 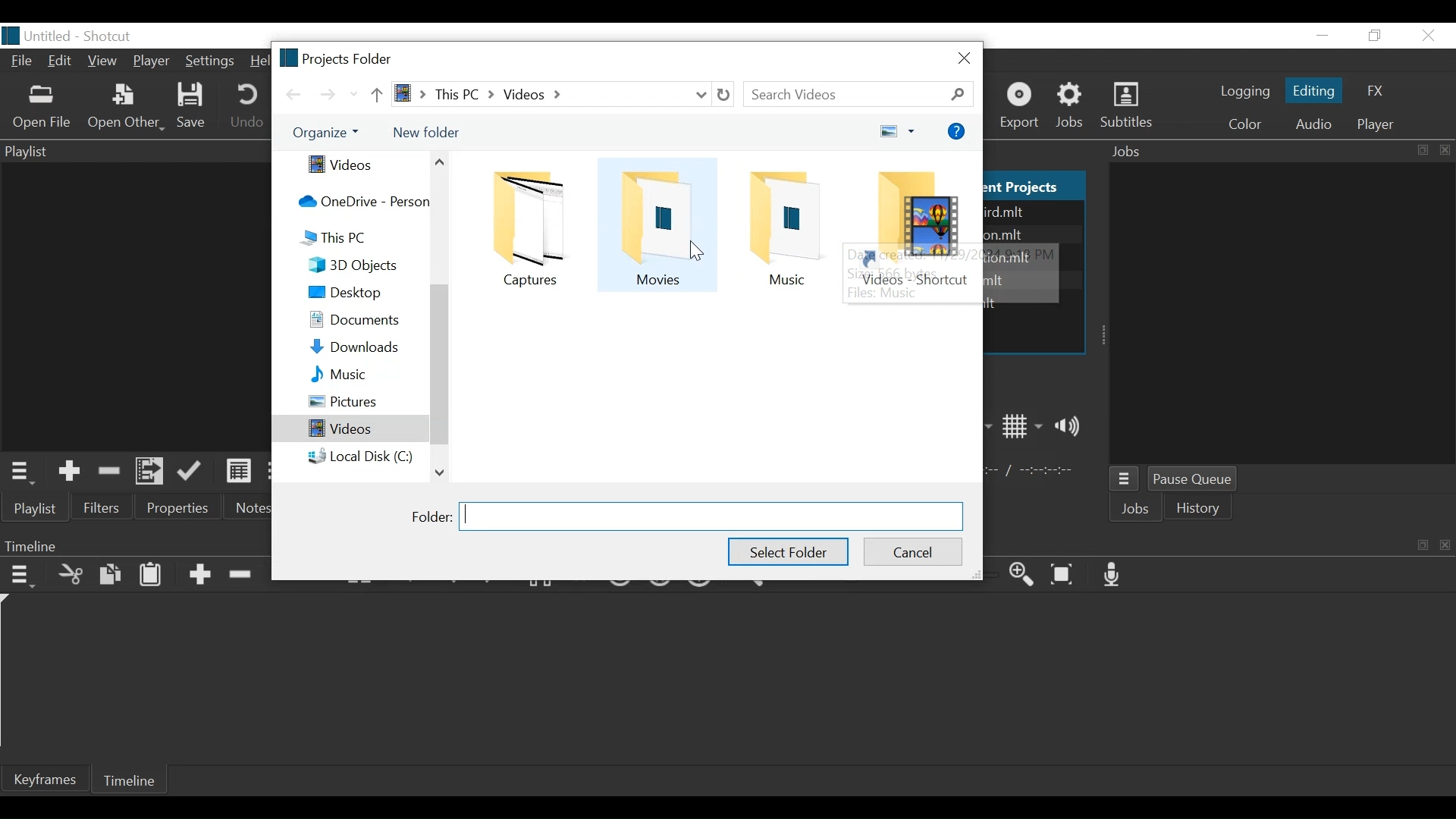 I want to click on View as Detail, so click(x=238, y=471).